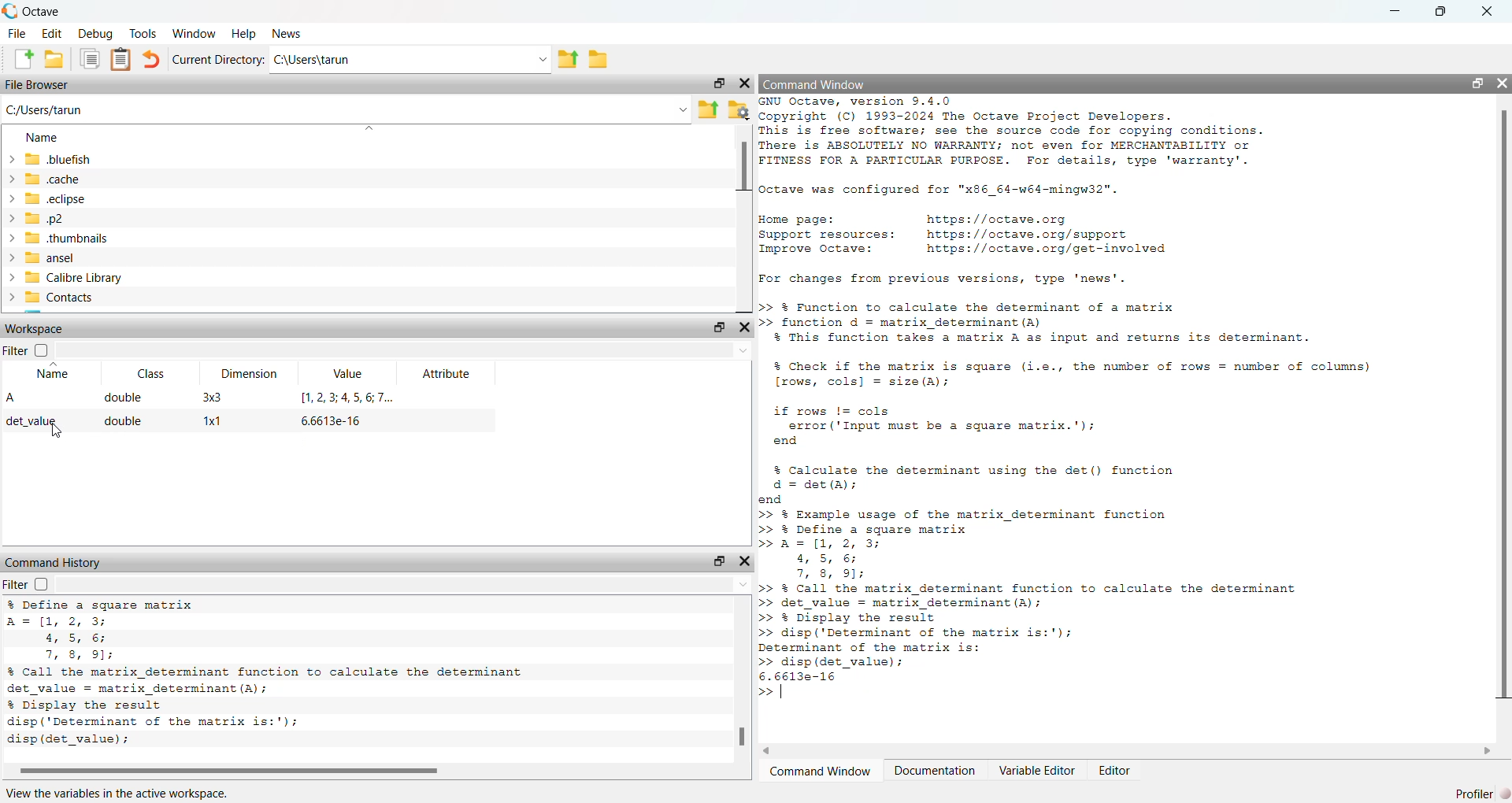  What do you see at coordinates (212, 422) in the screenshot?
I see `1x1` at bounding box center [212, 422].